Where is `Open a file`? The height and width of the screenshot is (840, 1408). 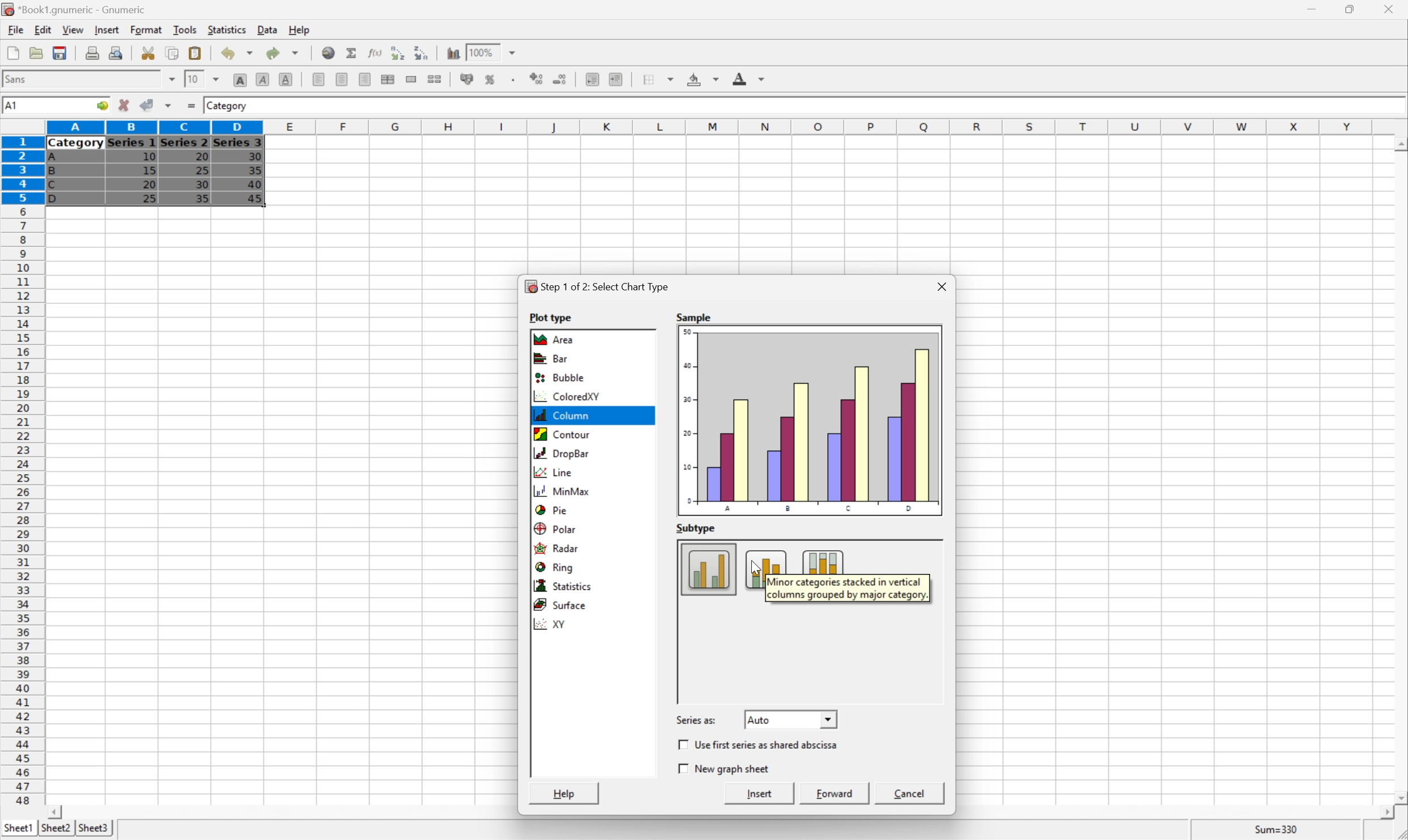 Open a file is located at coordinates (35, 53).